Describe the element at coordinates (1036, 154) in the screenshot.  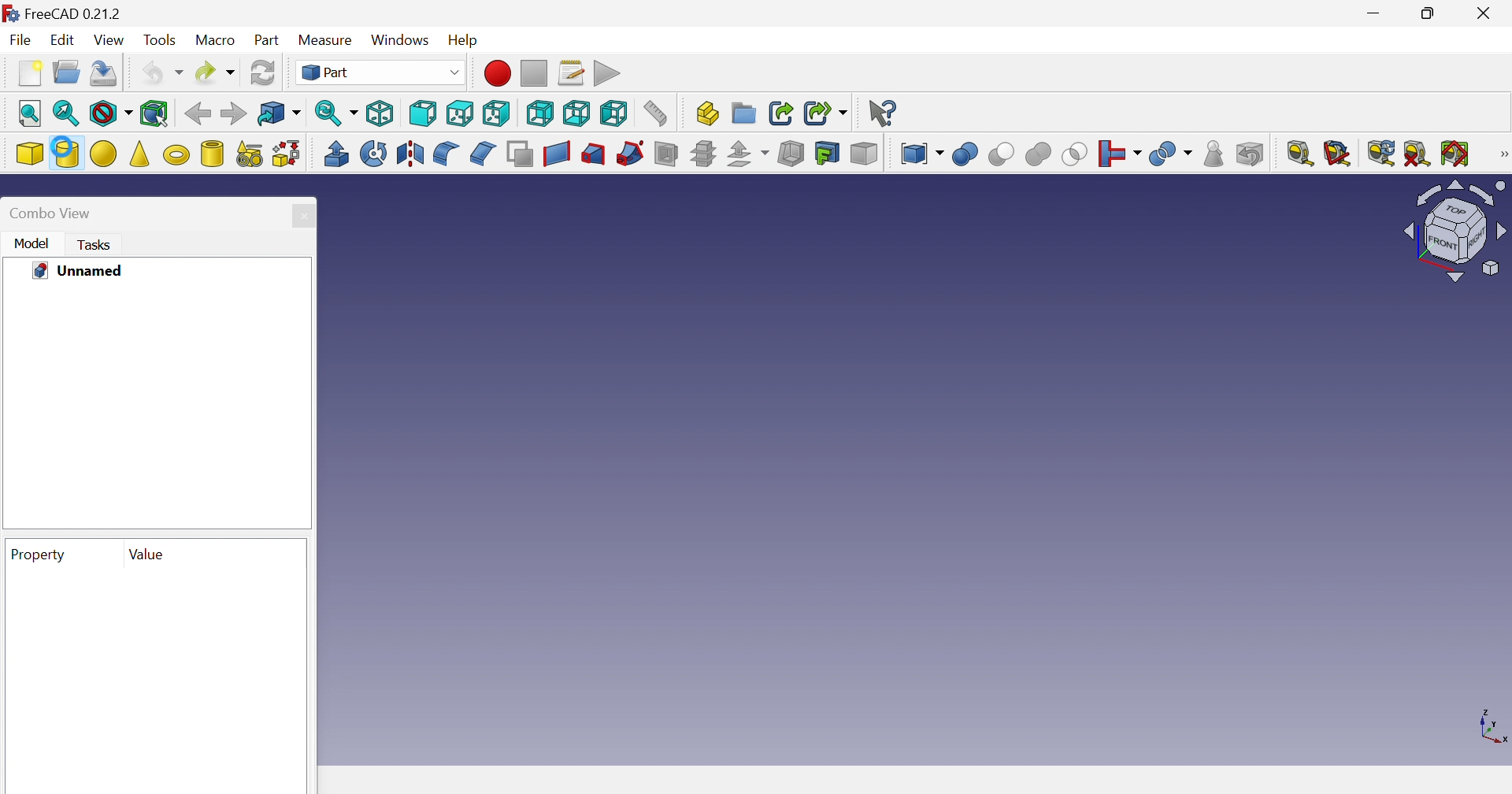
I see `Cut` at that location.